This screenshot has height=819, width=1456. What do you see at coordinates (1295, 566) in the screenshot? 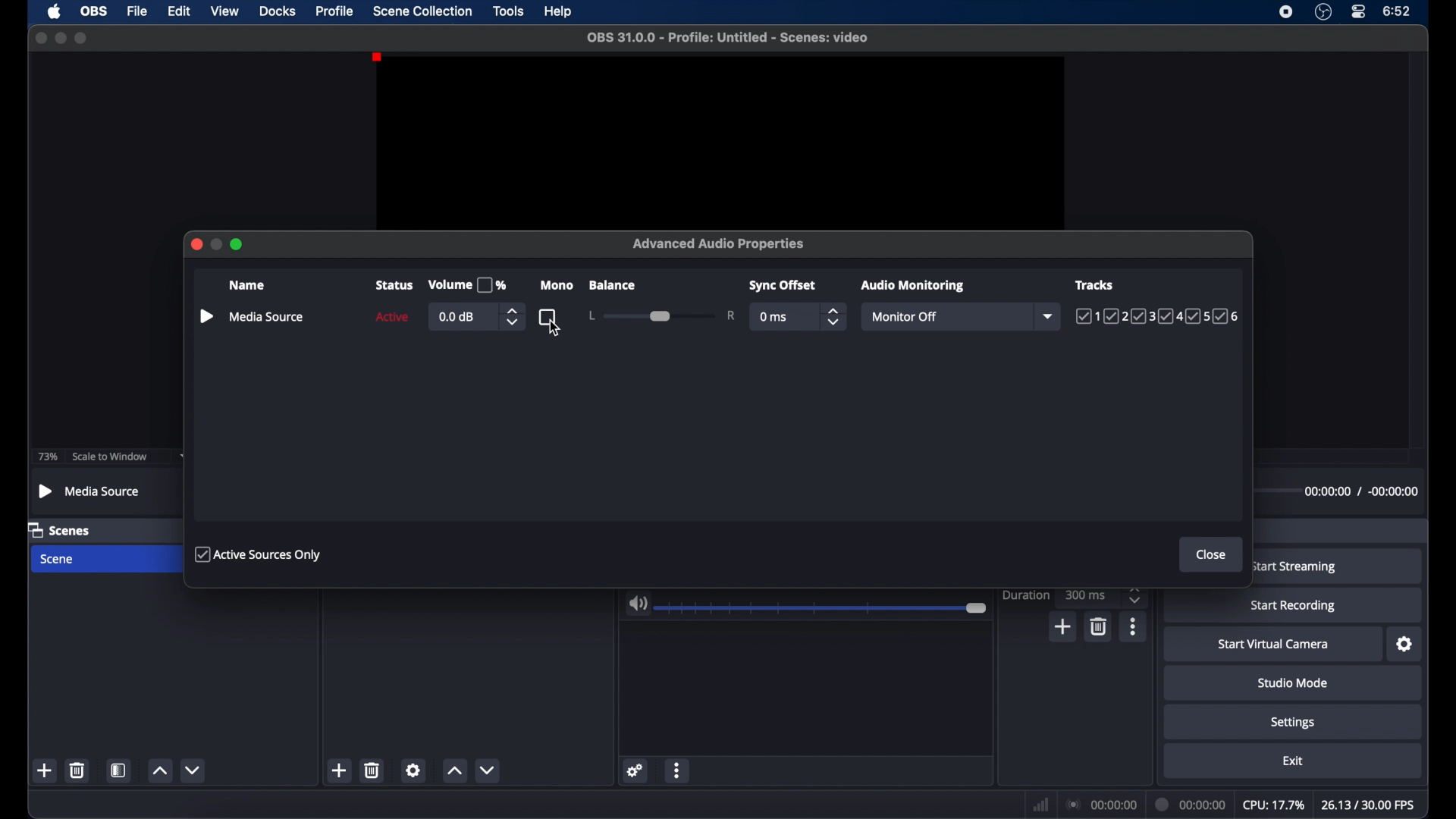
I see `start streaming` at bounding box center [1295, 566].